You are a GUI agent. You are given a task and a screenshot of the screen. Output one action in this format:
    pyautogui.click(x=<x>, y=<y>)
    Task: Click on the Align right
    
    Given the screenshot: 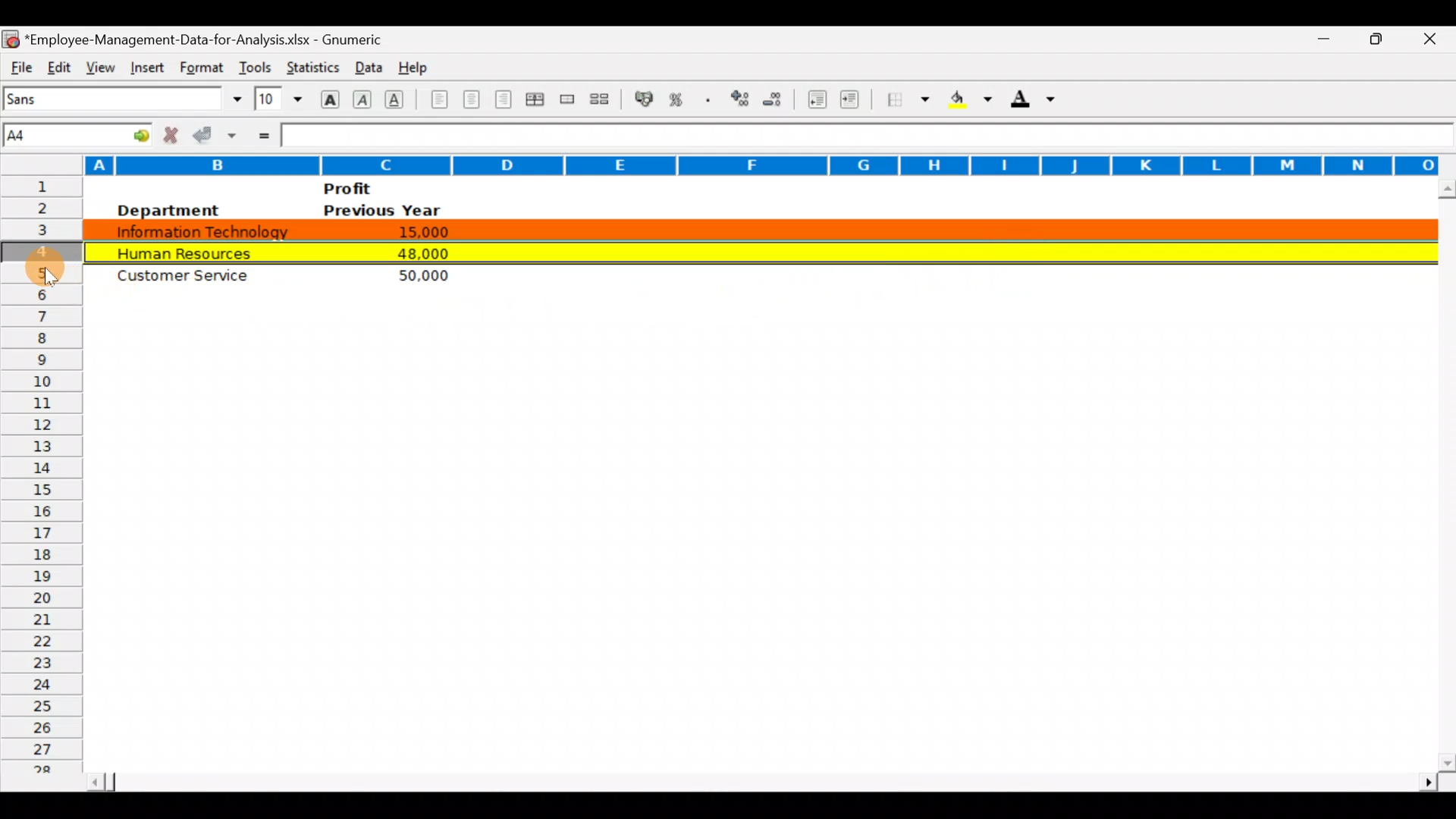 What is the action you would take?
    pyautogui.click(x=506, y=99)
    